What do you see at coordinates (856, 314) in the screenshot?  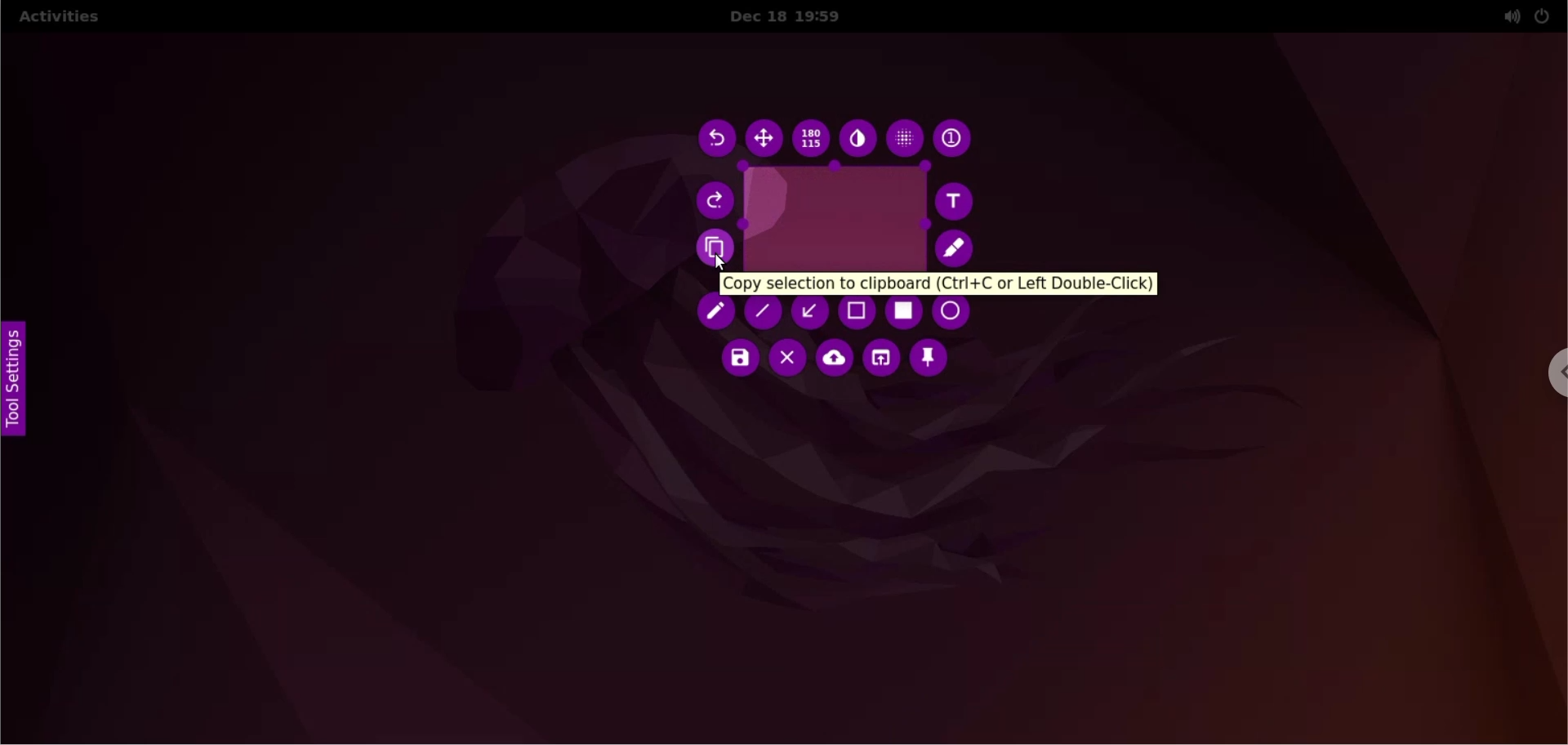 I see `rectangle as paint tool` at bounding box center [856, 314].